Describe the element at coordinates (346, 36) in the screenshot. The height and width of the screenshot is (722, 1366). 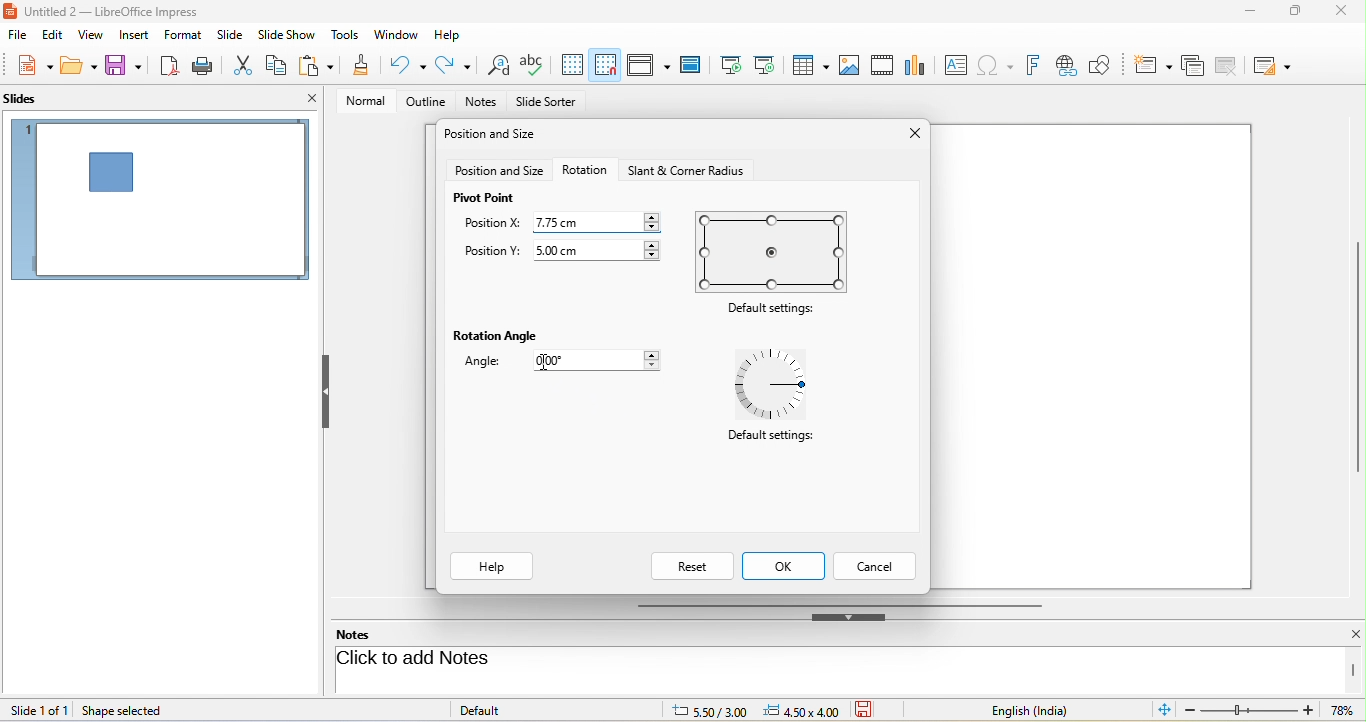
I see `tools` at that location.